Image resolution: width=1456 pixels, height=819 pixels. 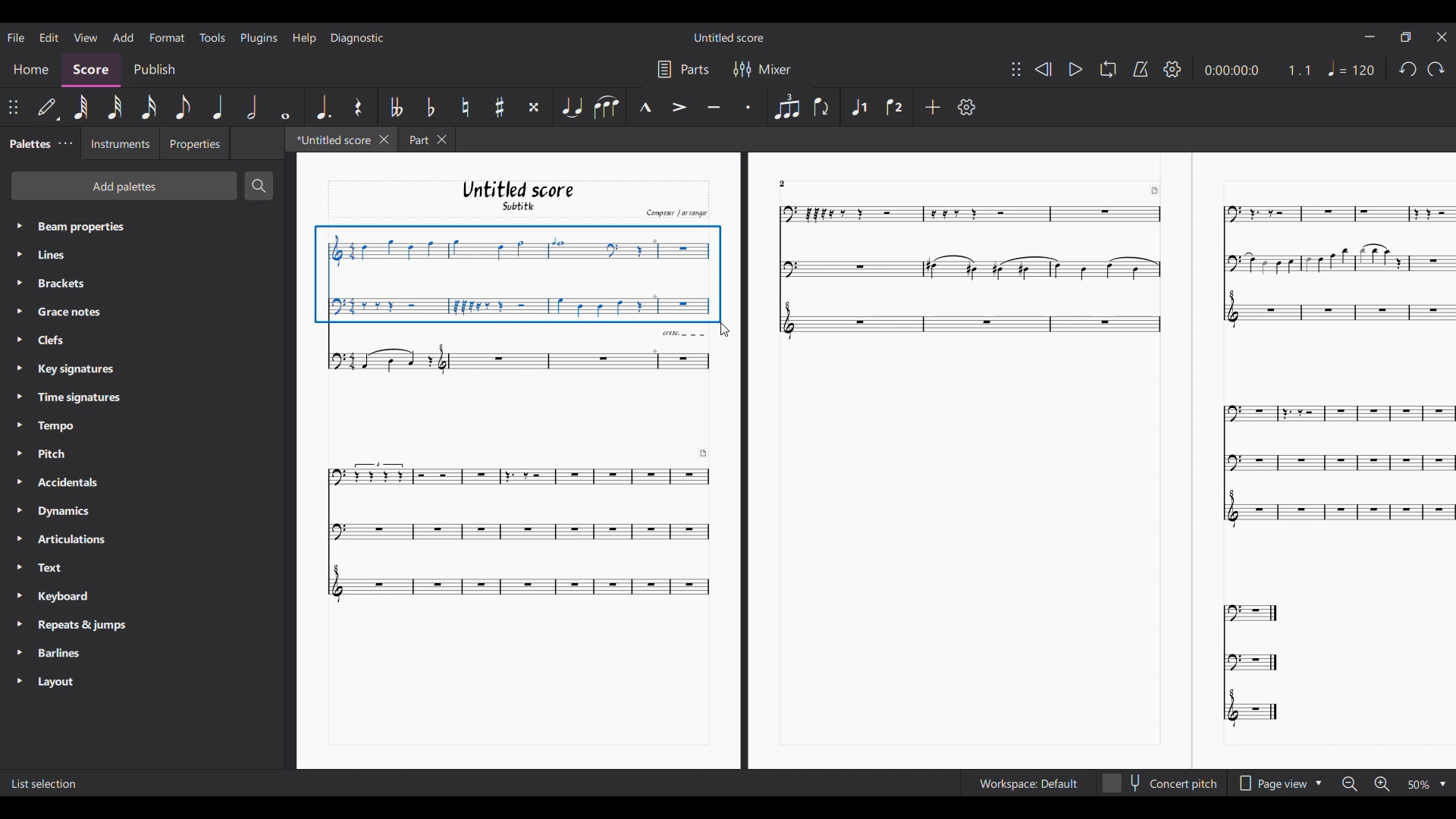 I want to click on Close, so click(x=444, y=140).